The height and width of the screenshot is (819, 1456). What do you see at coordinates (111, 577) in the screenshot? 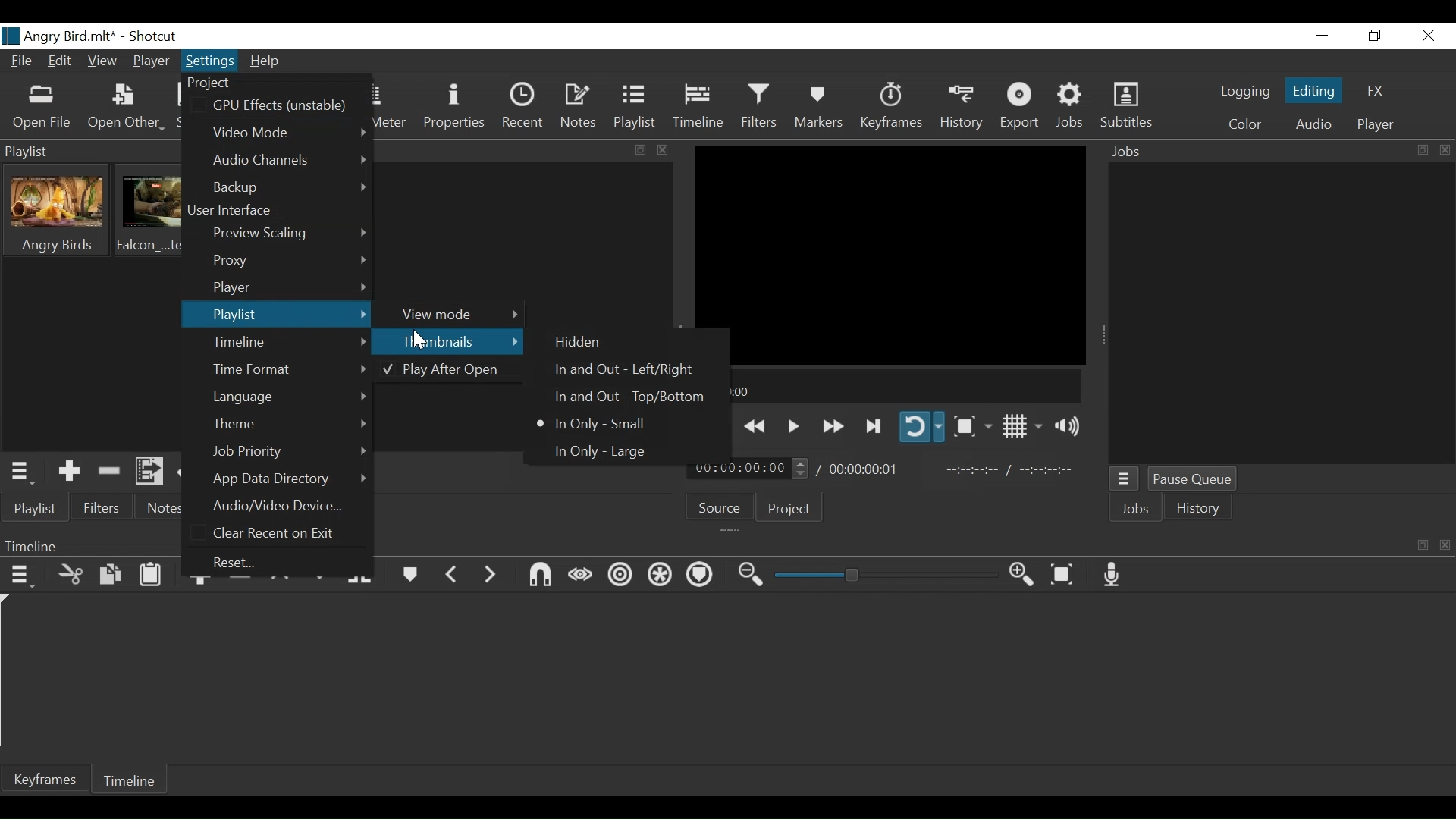
I see `Copy` at bounding box center [111, 577].